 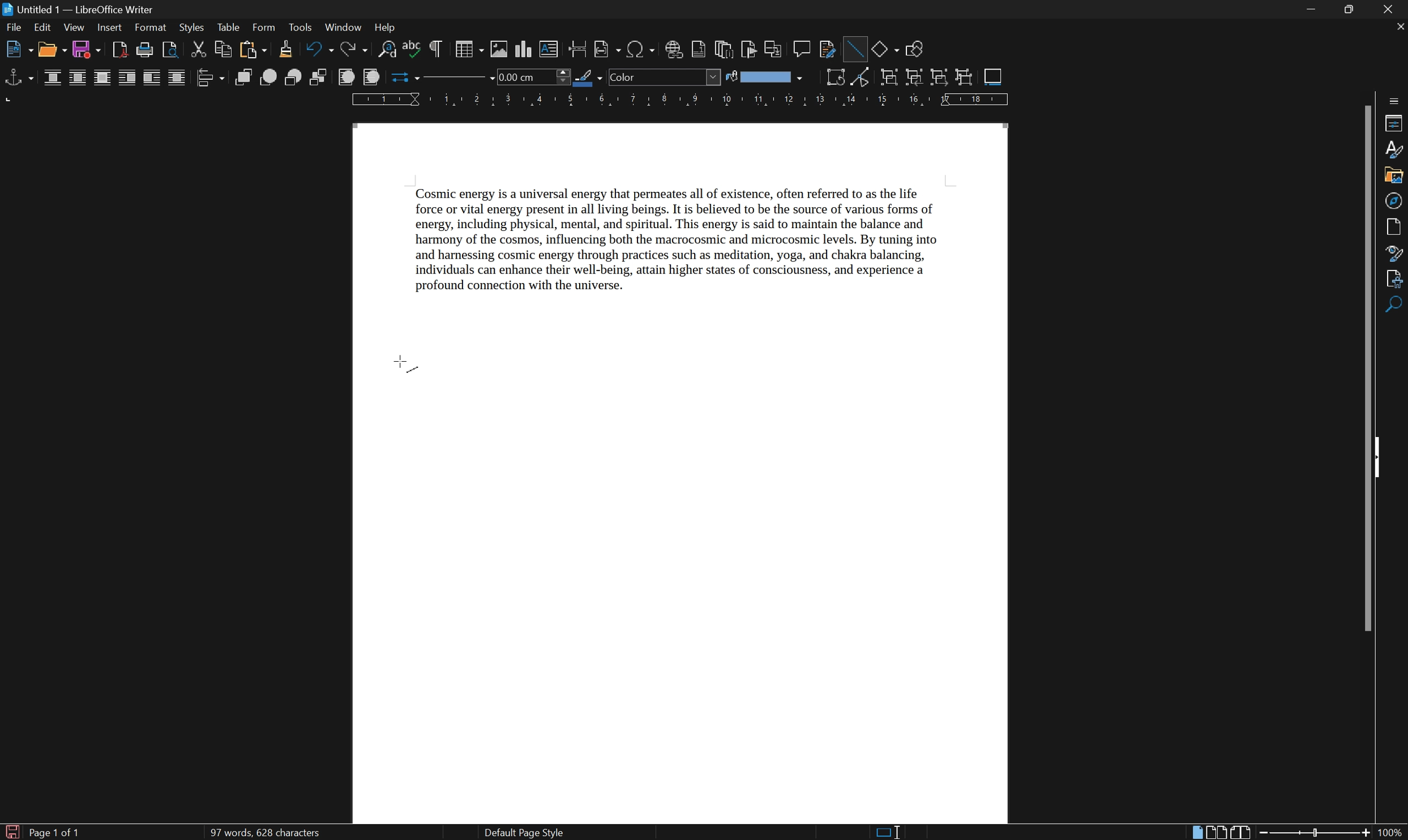 What do you see at coordinates (101, 79) in the screenshot?
I see `optimal` at bounding box center [101, 79].